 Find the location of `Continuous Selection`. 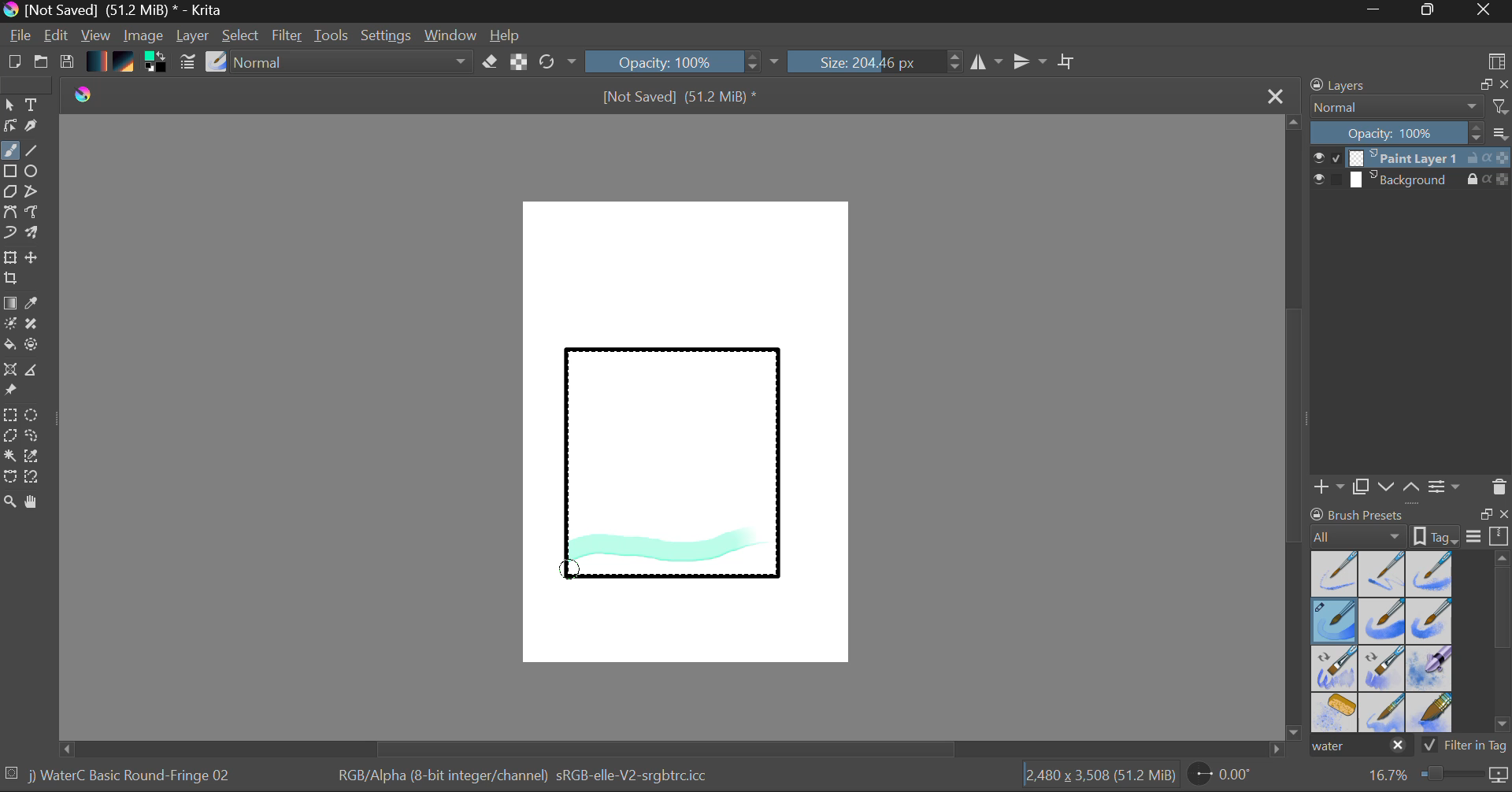

Continuous Selection is located at coordinates (9, 455).